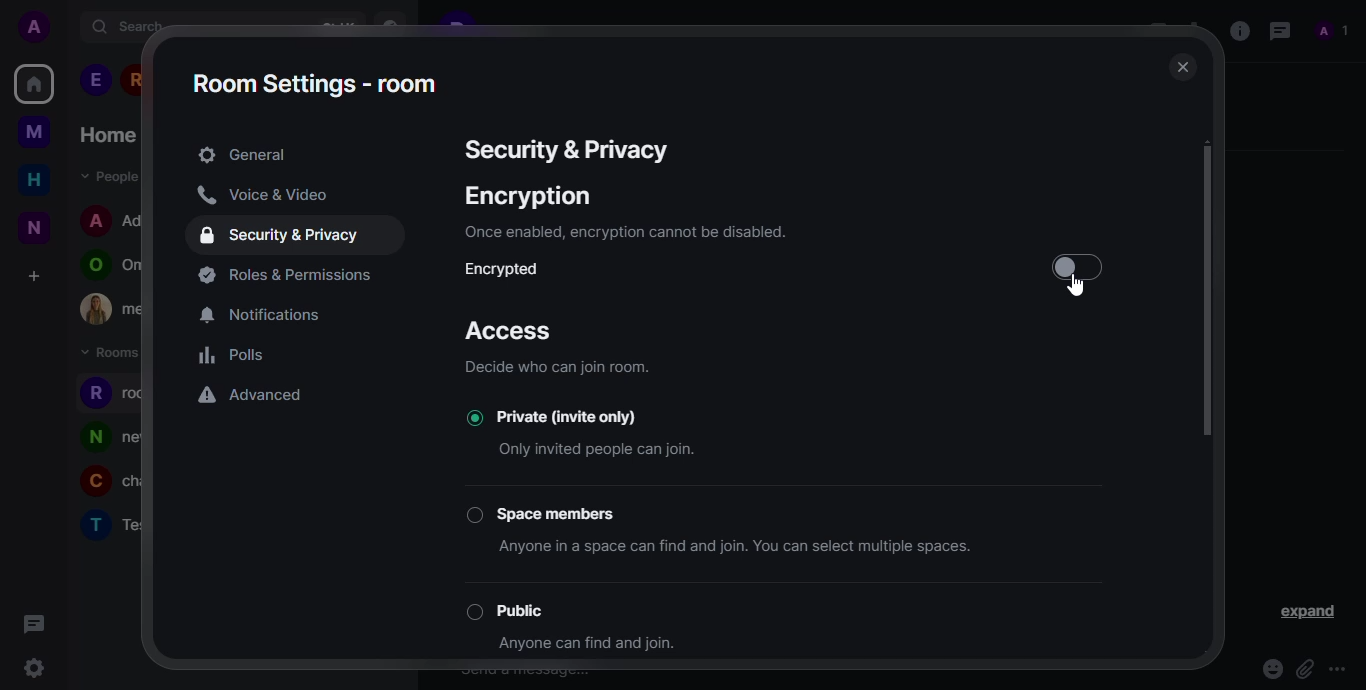  I want to click on access, so click(508, 330).